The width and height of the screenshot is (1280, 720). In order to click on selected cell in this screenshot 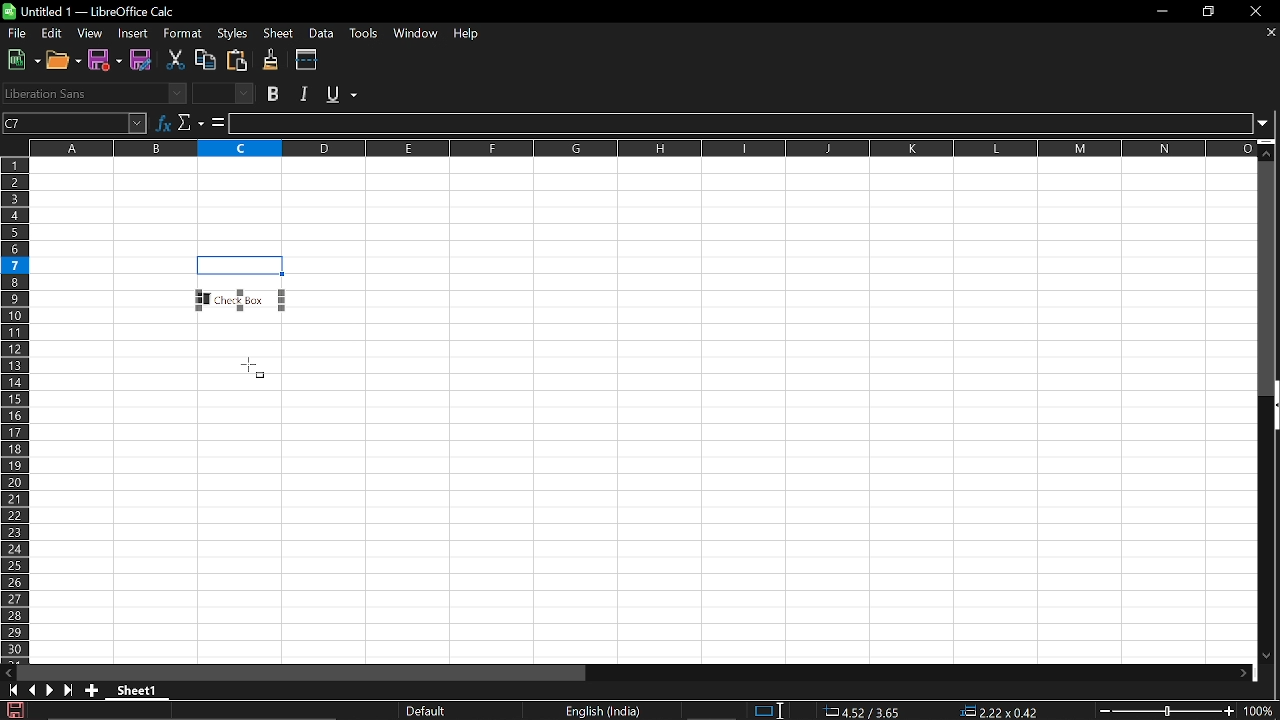, I will do `click(241, 266)`.